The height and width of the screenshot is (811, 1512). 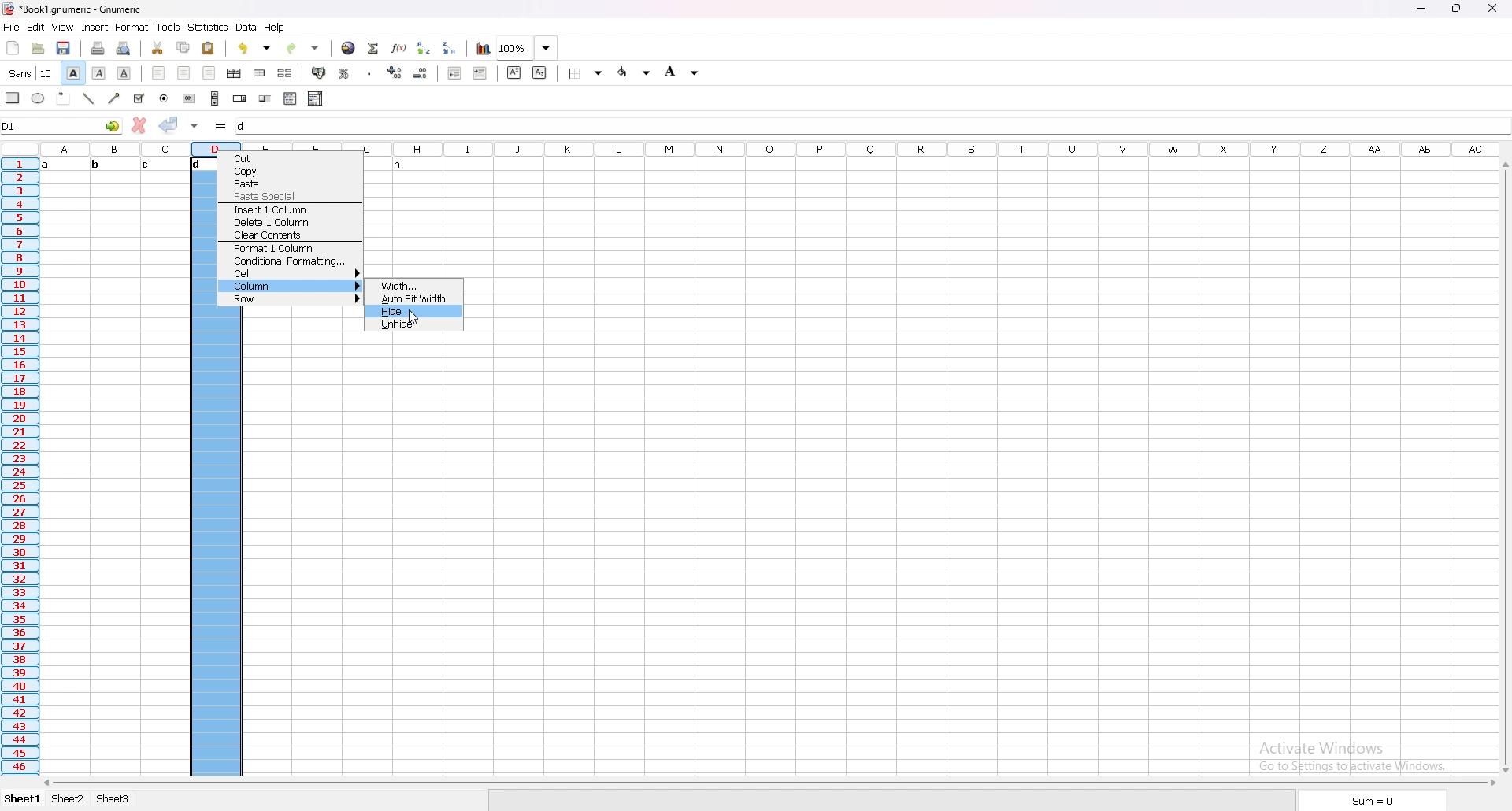 What do you see at coordinates (210, 72) in the screenshot?
I see `right align` at bounding box center [210, 72].